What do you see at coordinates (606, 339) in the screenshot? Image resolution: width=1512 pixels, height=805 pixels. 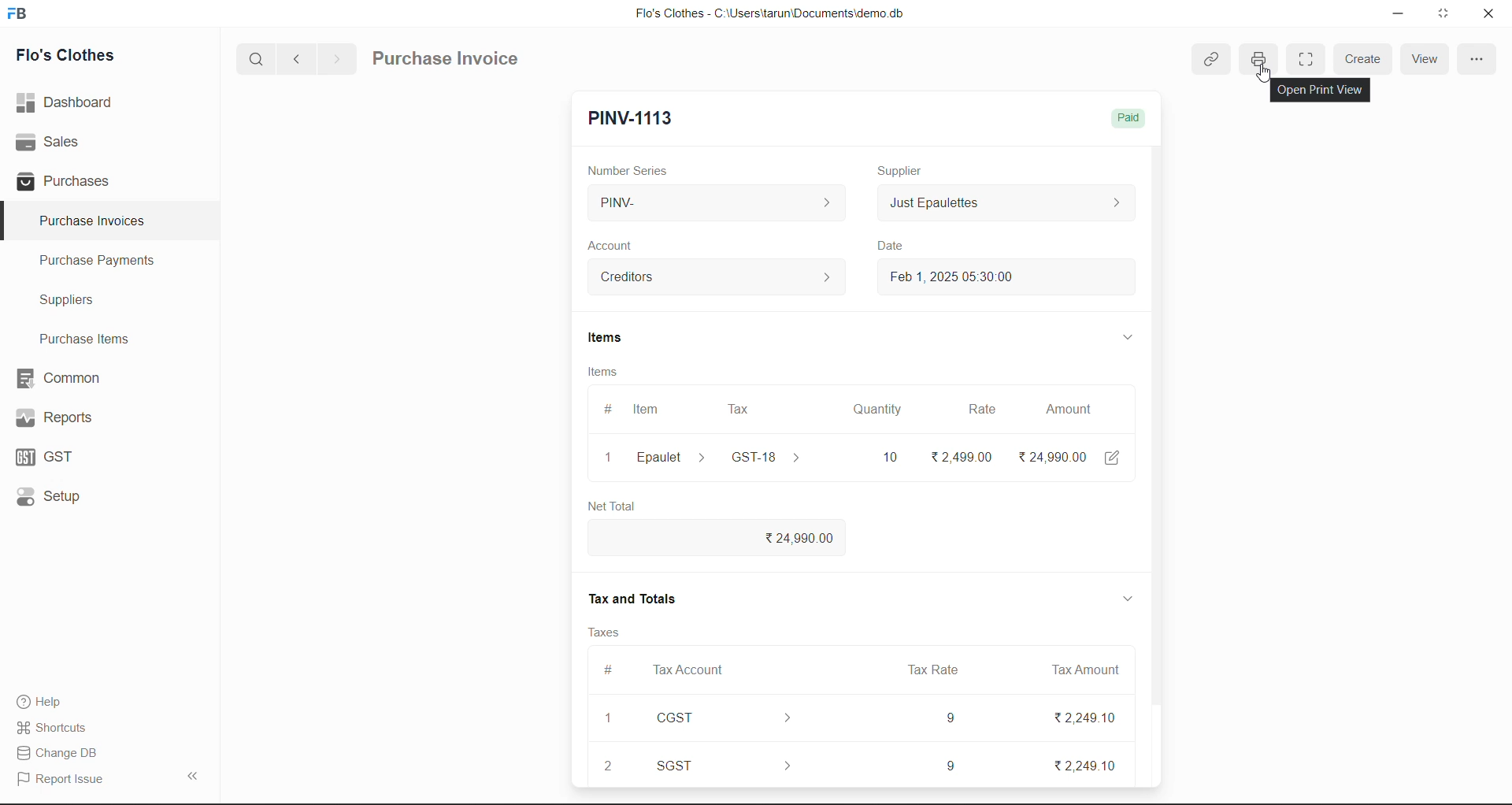 I see `Items` at bounding box center [606, 339].